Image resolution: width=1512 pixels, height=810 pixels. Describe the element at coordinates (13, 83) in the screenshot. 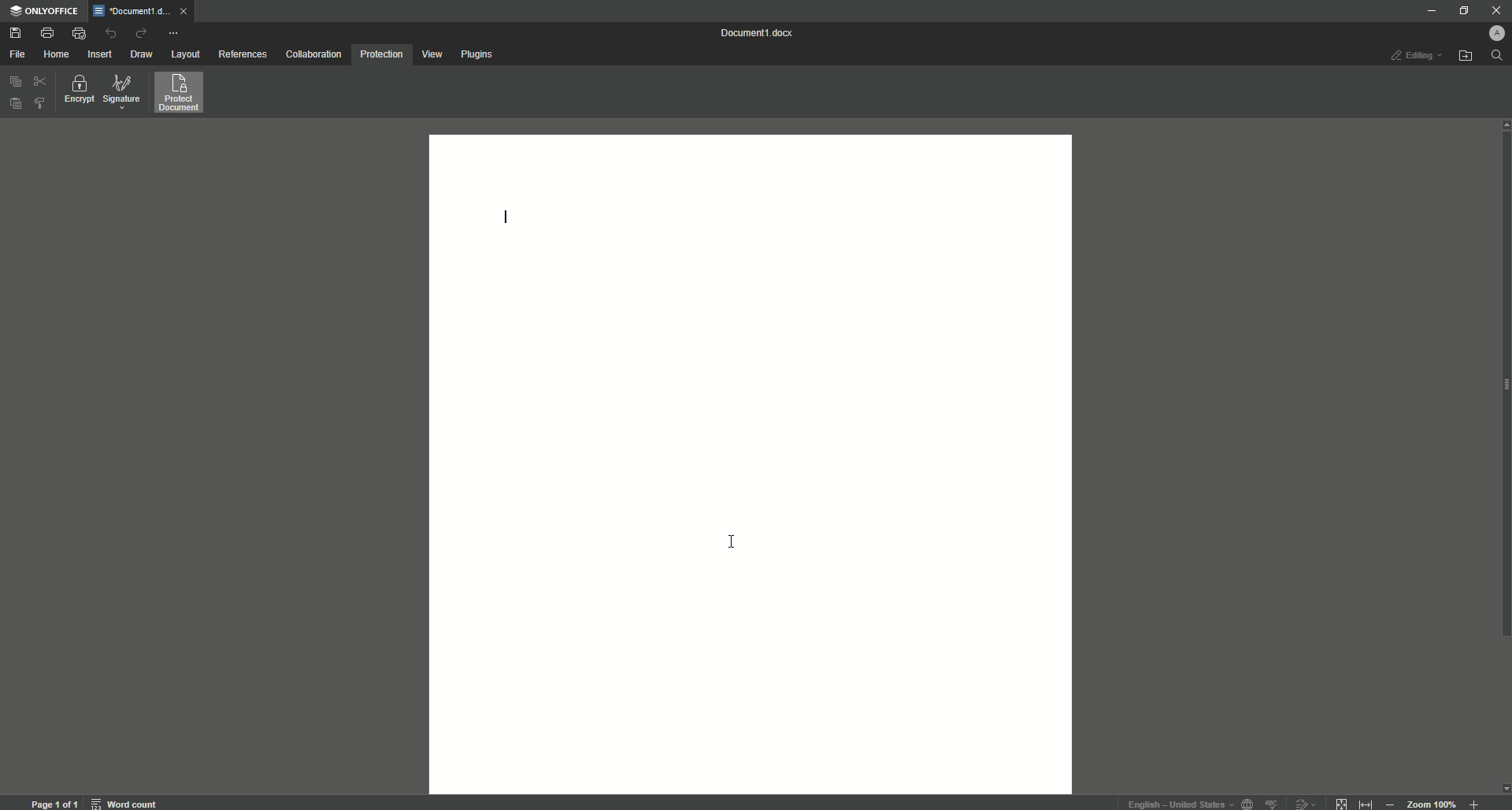

I see `Copy` at that location.